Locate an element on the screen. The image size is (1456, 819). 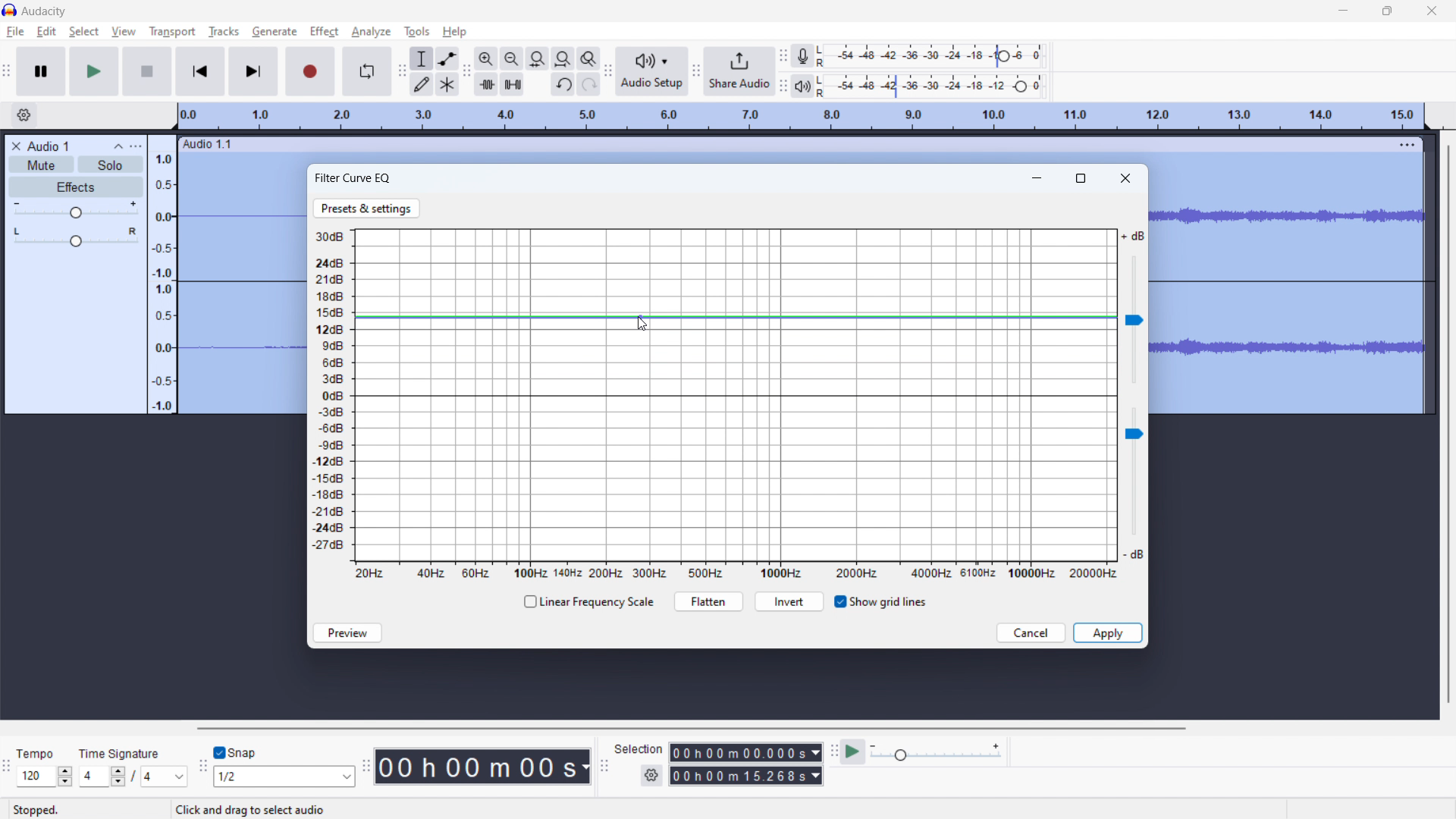
menu is located at coordinates (1407, 144).